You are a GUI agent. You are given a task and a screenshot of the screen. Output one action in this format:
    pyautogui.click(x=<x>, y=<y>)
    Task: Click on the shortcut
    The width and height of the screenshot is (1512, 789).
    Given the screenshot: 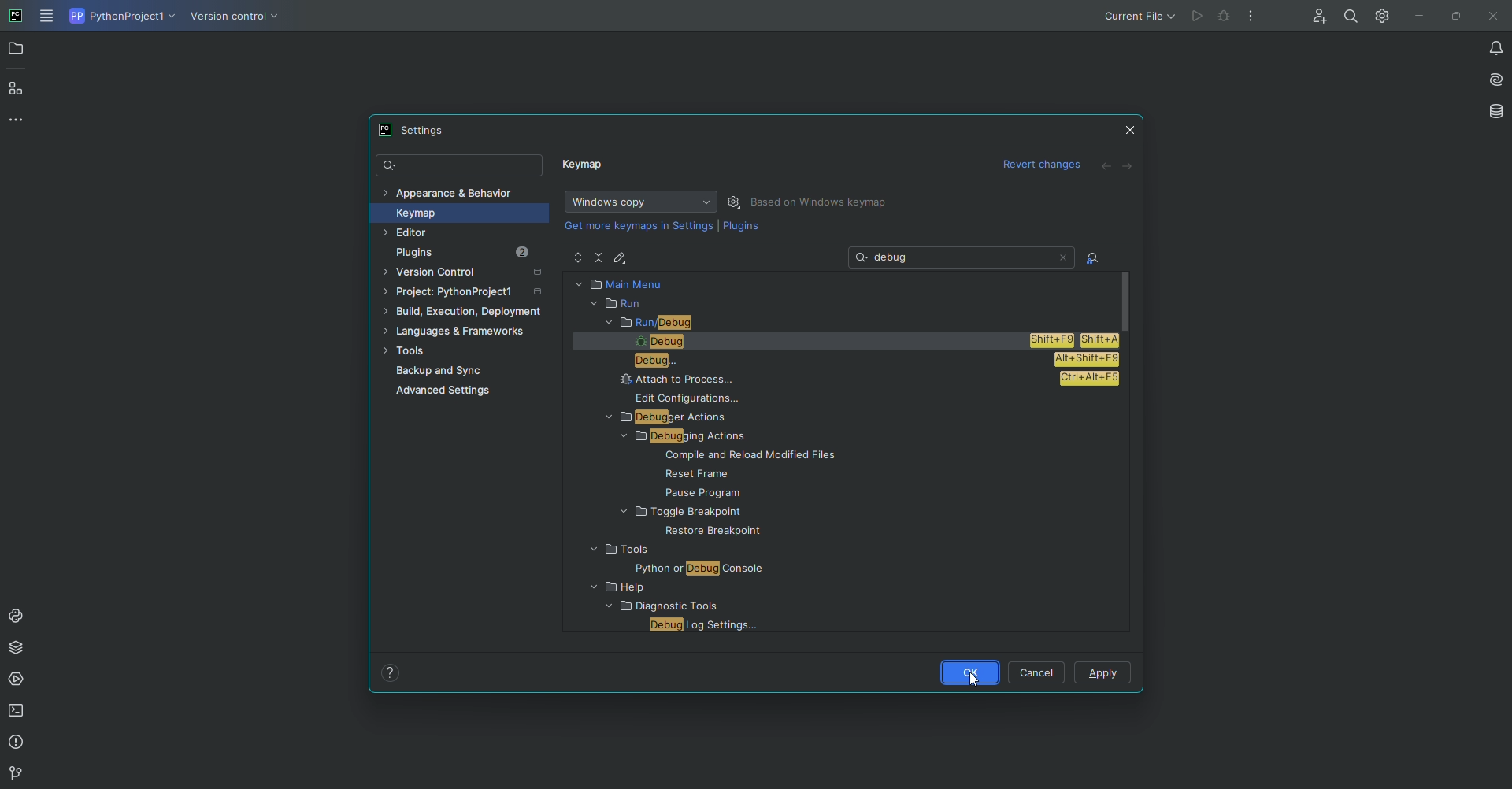 What is the action you would take?
    pyautogui.click(x=1085, y=360)
    